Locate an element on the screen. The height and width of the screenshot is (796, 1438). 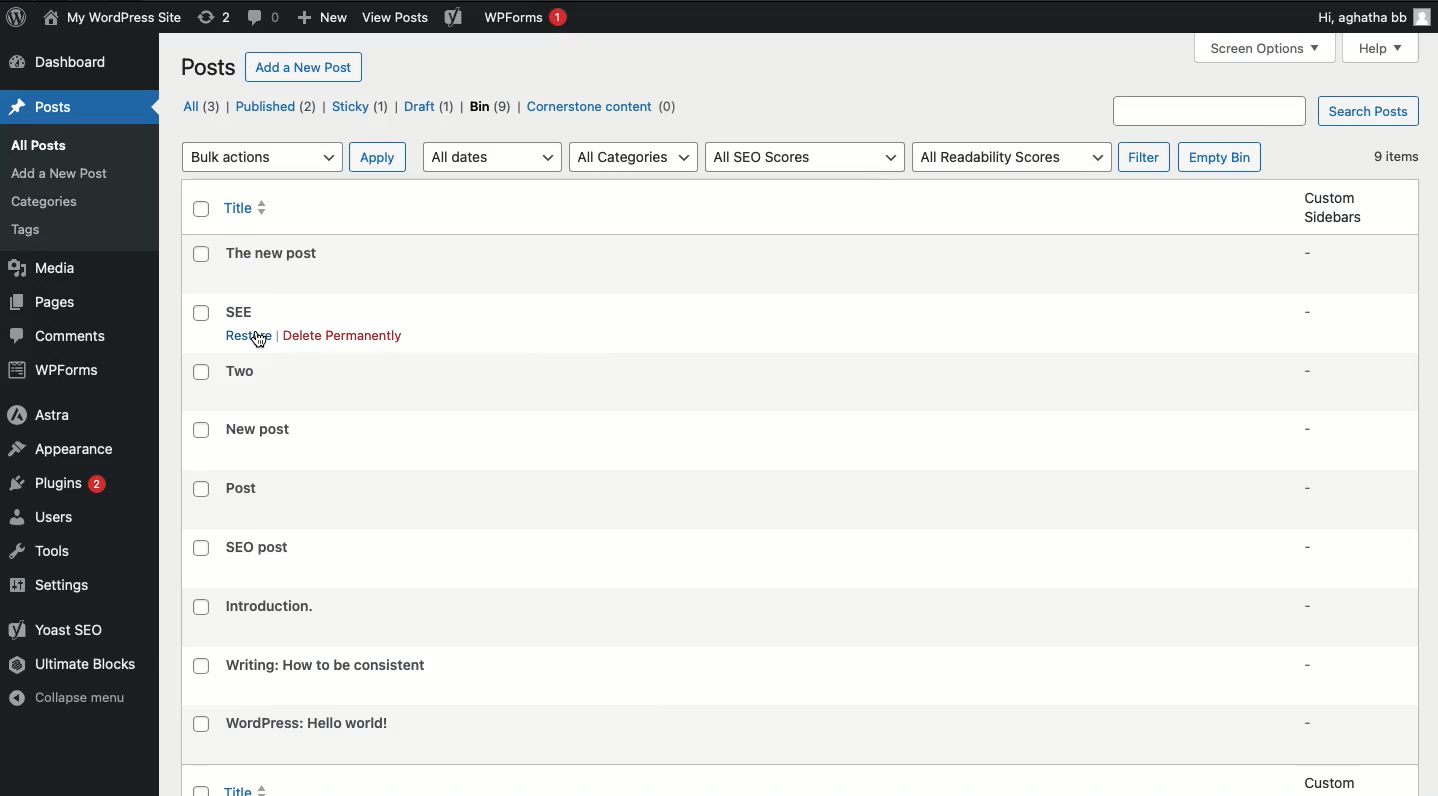
Title is located at coordinates (247, 206).